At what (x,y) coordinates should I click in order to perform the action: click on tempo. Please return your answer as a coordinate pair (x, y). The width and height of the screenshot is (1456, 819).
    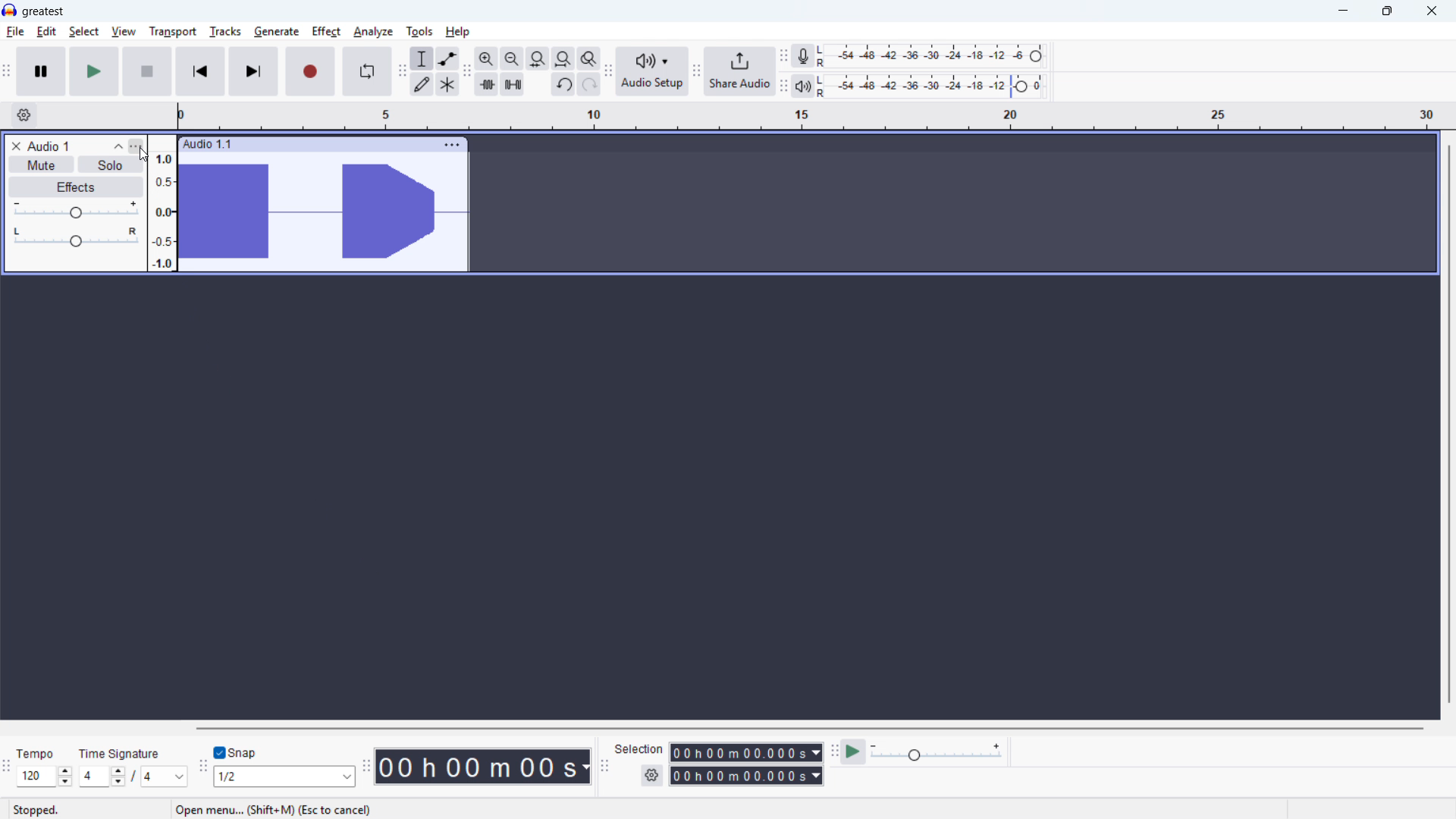
    Looking at the image, I should click on (38, 754).